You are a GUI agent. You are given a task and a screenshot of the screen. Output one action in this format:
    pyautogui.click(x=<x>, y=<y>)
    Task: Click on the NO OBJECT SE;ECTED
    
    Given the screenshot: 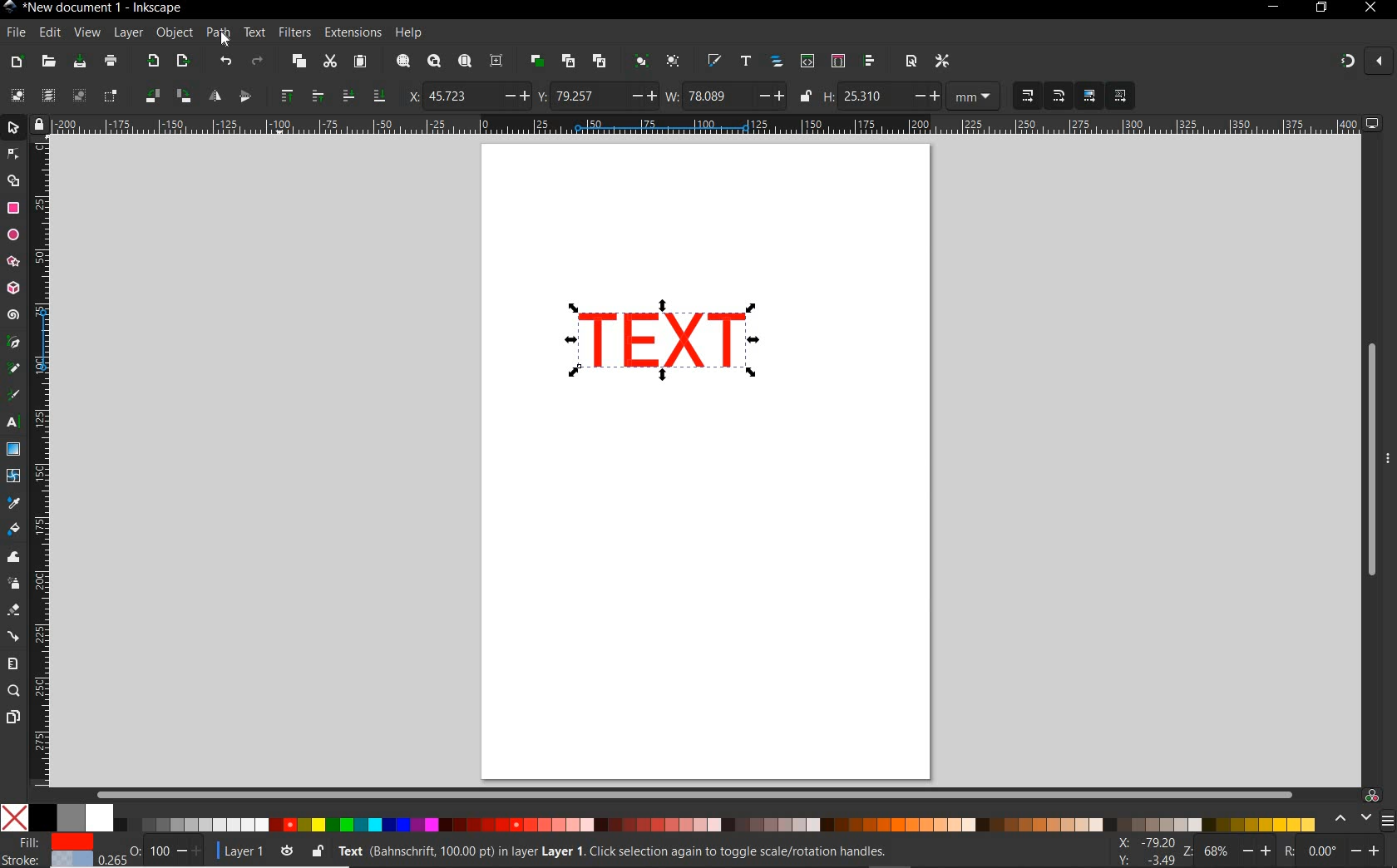 What is the action you would take?
    pyautogui.click(x=633, y=854)
    